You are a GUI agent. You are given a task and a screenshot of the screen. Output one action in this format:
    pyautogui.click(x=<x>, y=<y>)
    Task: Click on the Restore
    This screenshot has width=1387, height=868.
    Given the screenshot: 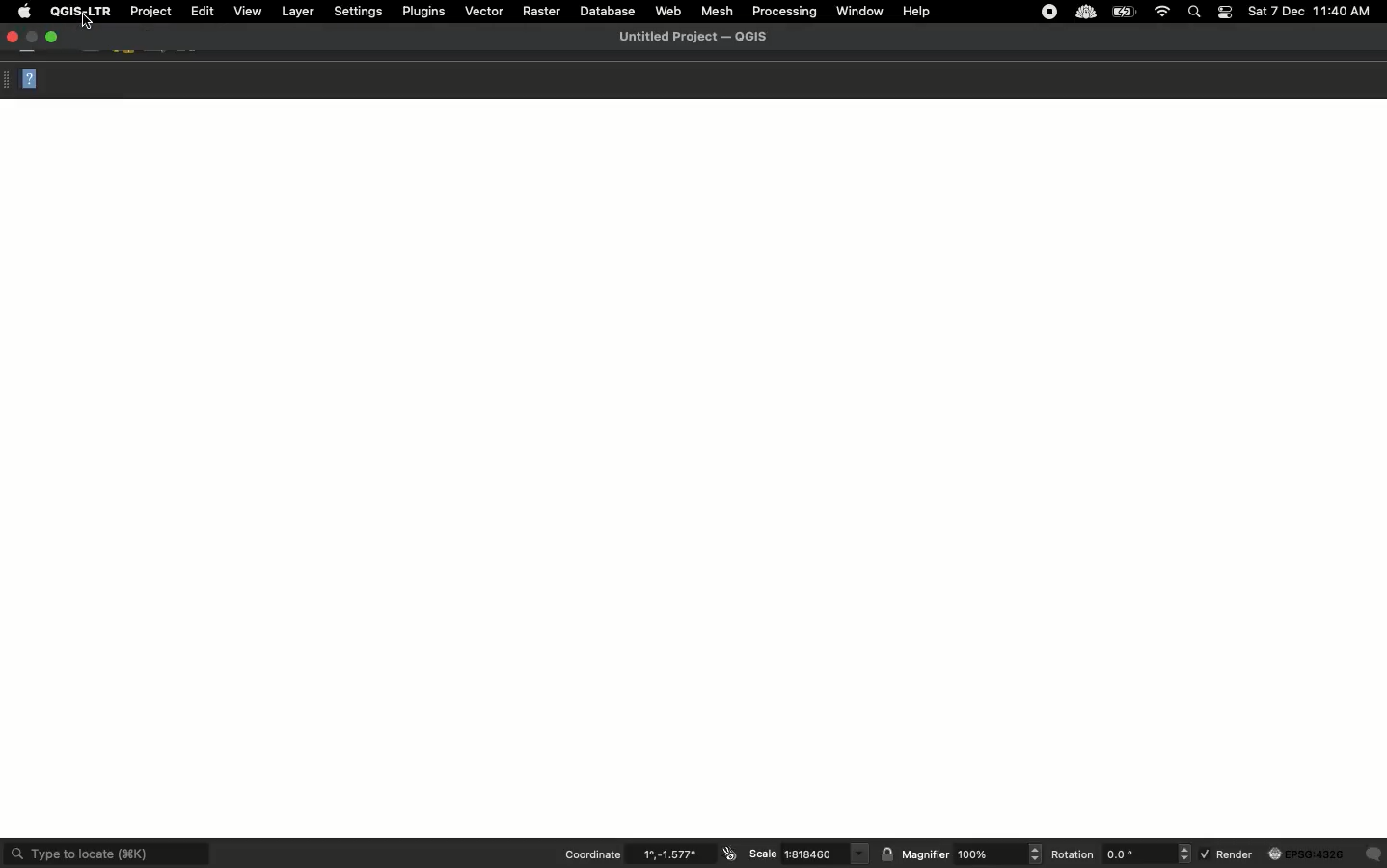 What is the action you would take?
    pyautogui.click(x=31, y=36)
    